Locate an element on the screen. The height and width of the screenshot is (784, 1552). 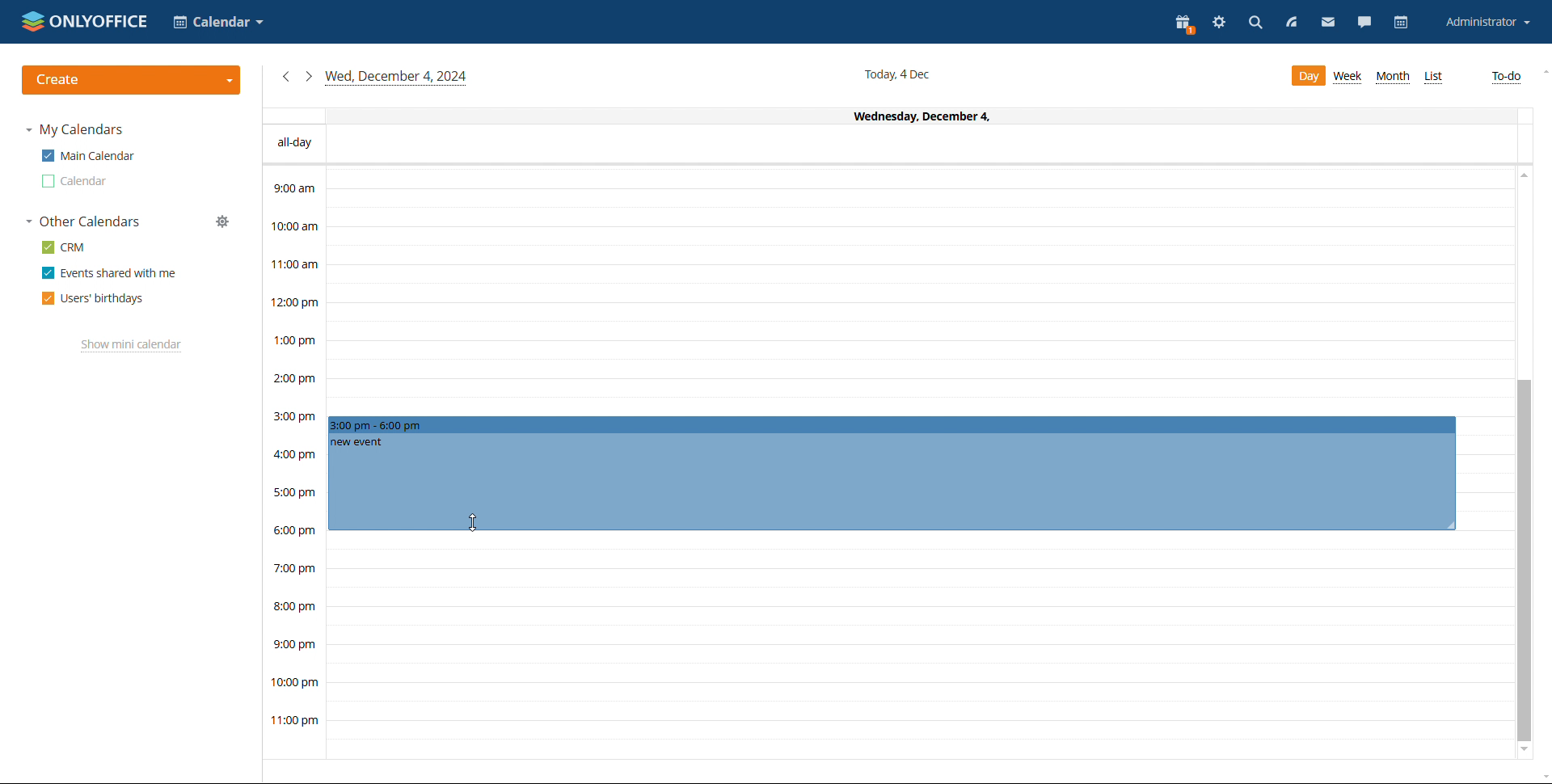
calendar is located at coordinates (75, 181).